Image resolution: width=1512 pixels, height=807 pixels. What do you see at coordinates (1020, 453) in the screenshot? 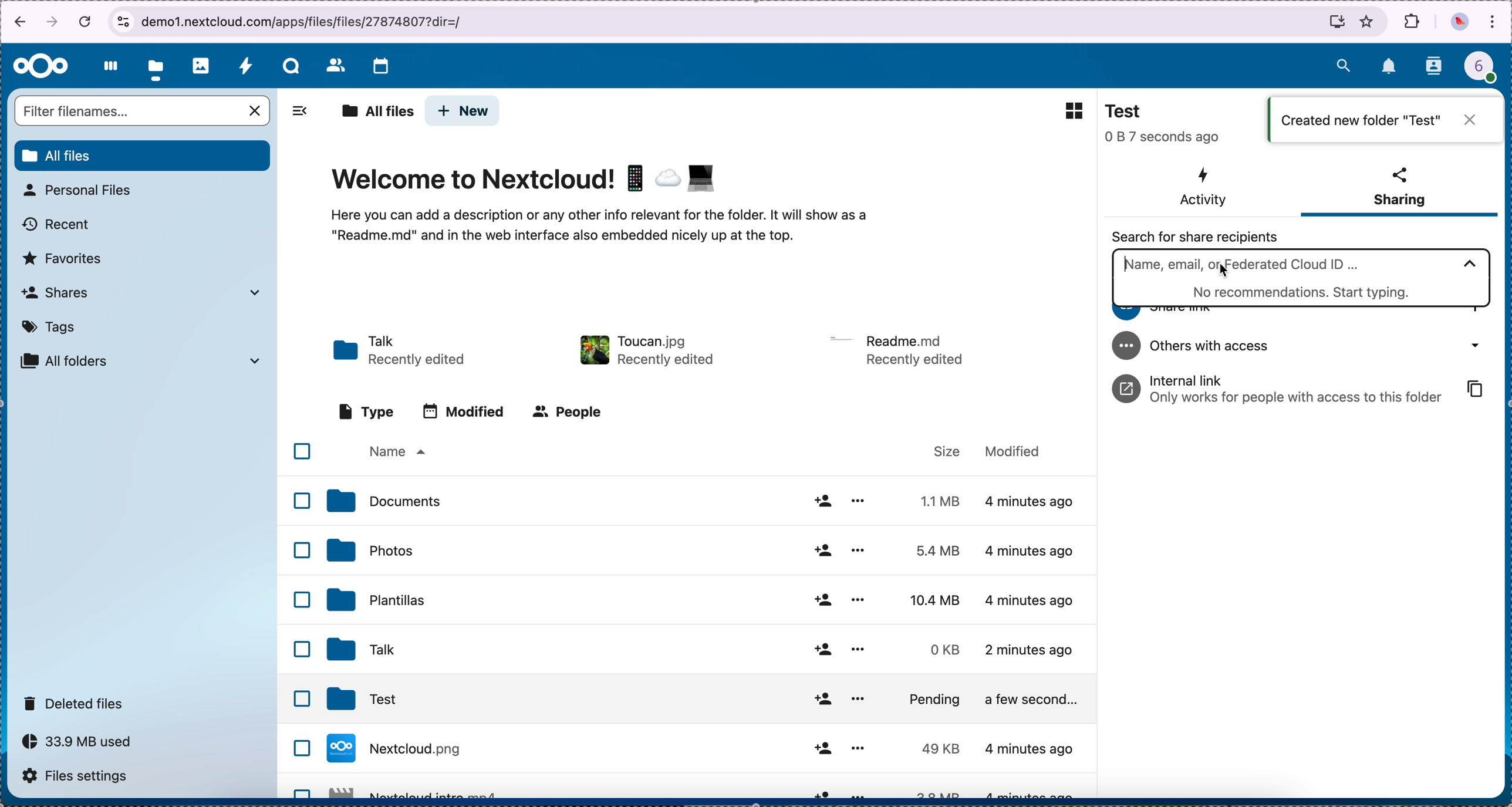
I see `modified` at bounding box center [1020, 453].